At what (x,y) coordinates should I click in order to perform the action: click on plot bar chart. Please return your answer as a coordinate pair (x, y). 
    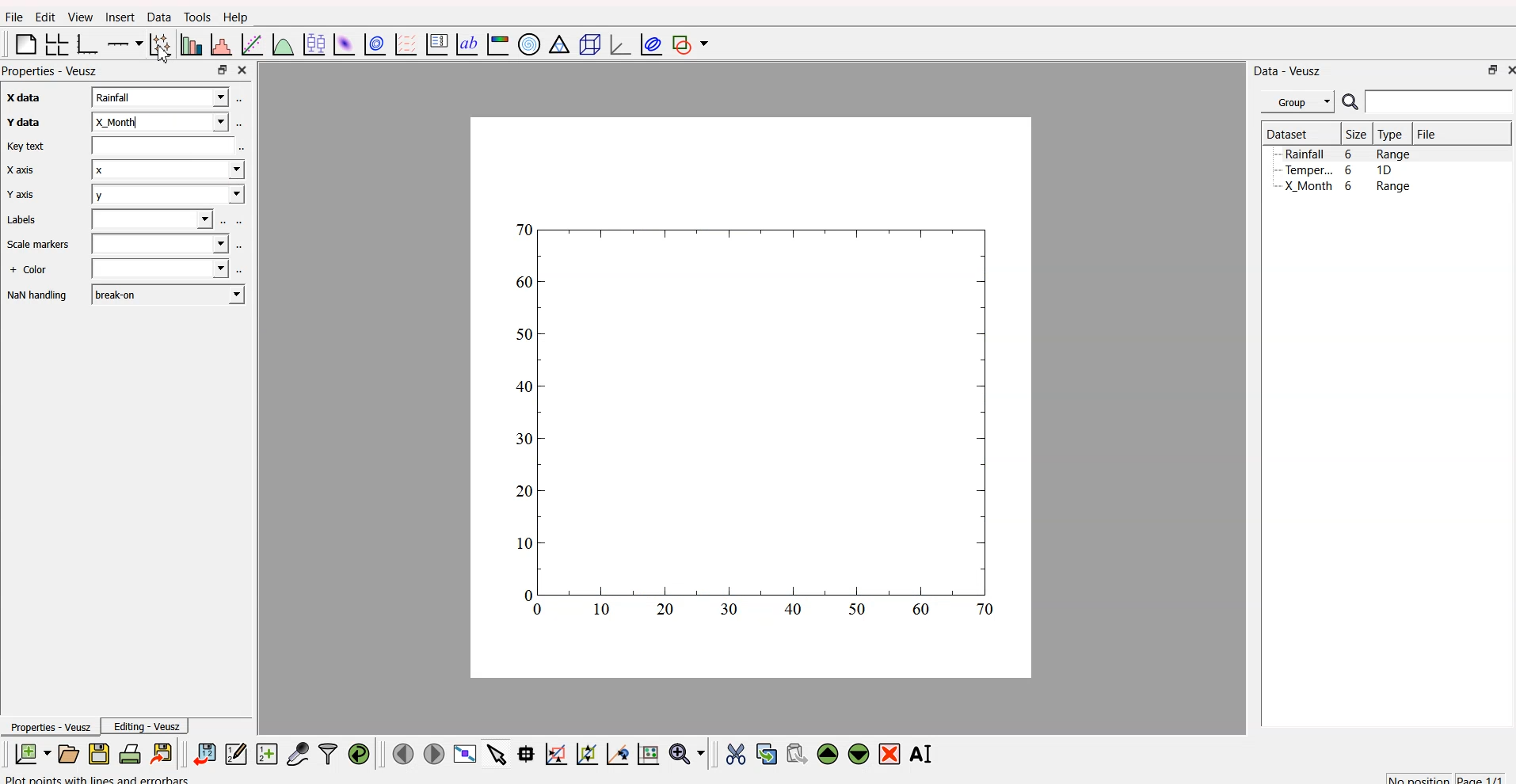
    Looking at the image, I should click on (189, 44).